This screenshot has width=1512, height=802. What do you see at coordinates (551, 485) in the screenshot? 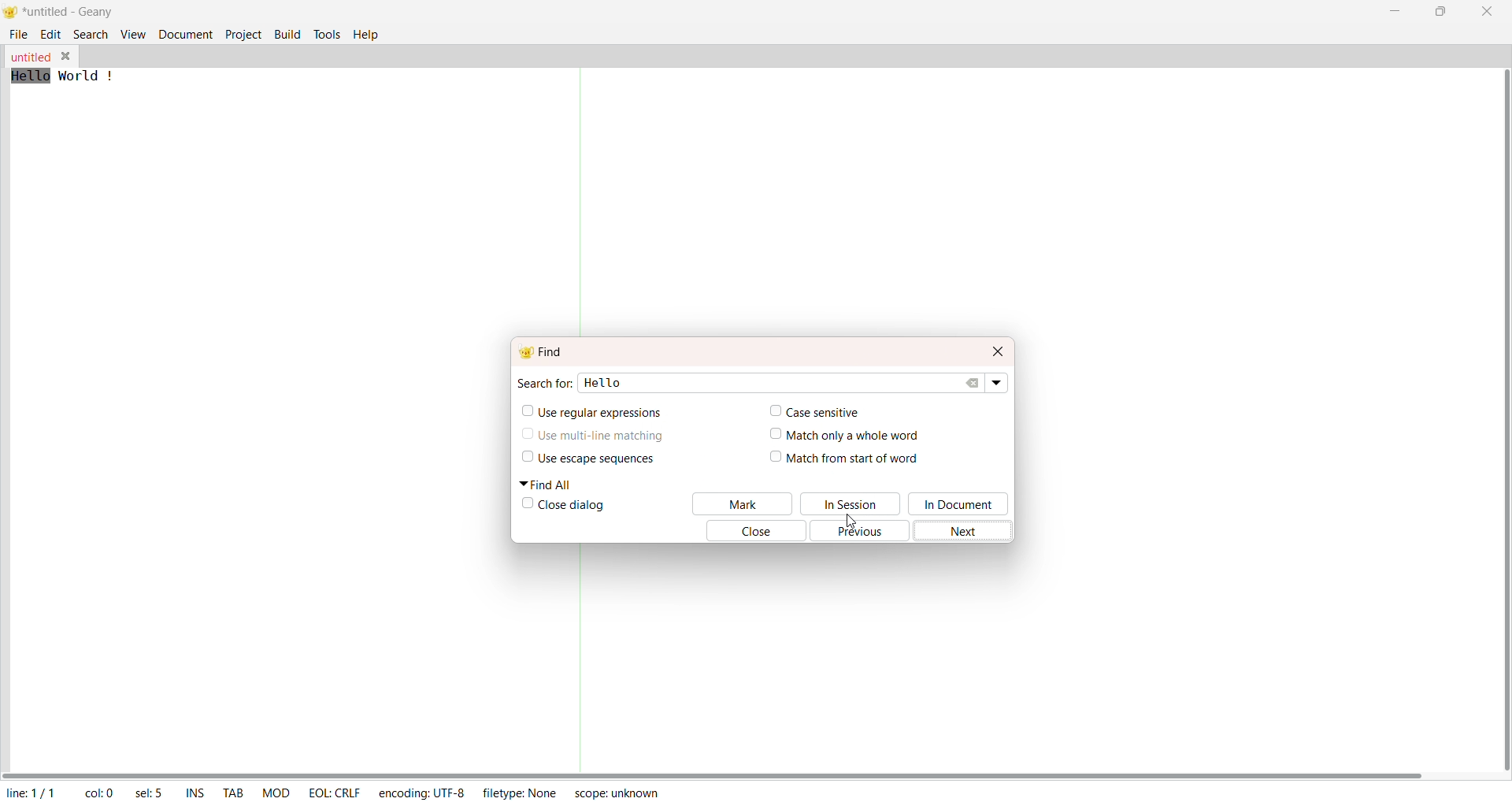
I see `Find All` at bounding box center [551, 485].